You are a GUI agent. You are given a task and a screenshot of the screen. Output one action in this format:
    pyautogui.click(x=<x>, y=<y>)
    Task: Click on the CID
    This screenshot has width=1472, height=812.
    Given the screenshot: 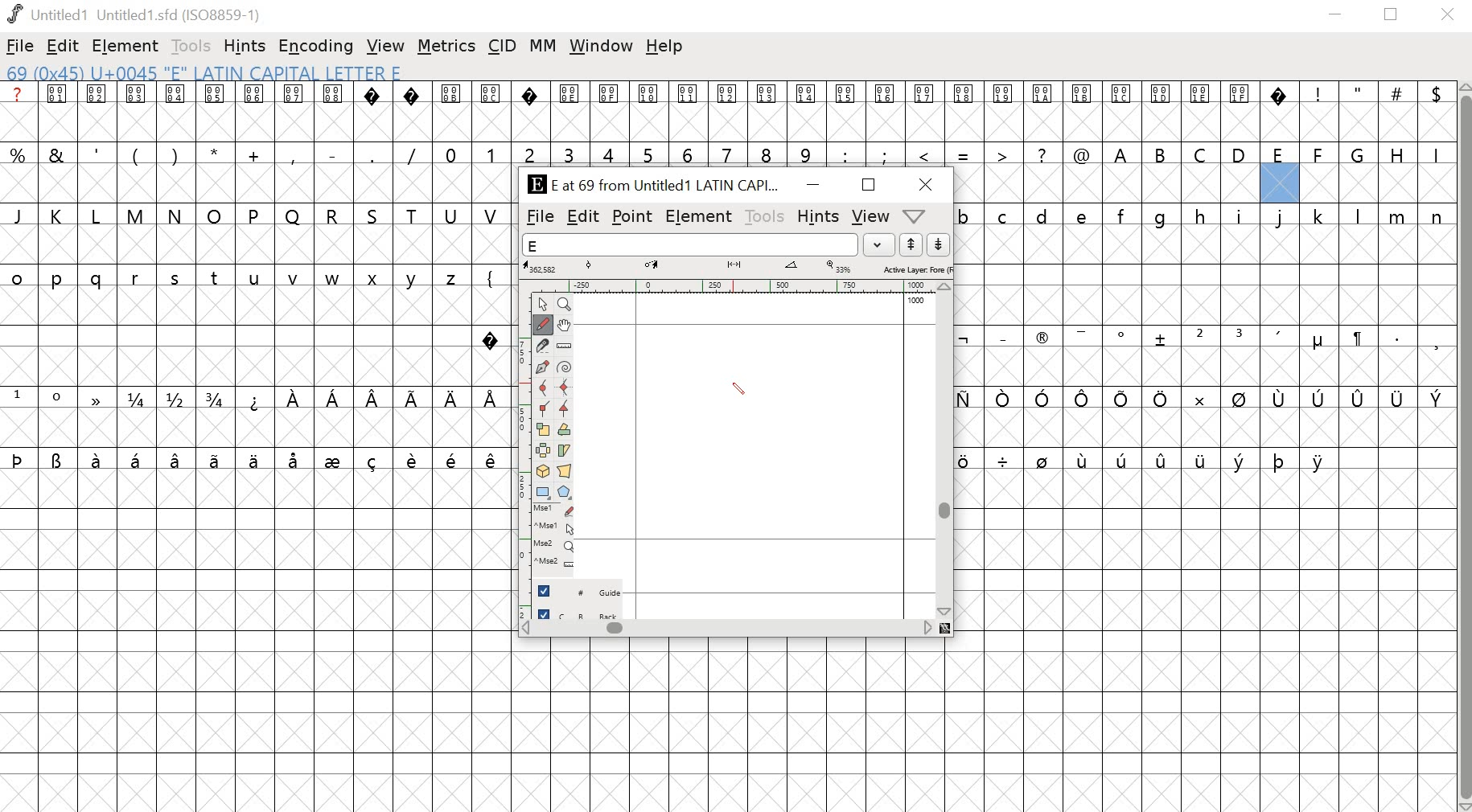 What is the action you would take?
    pyautogui.click(x=502, y=47)
    